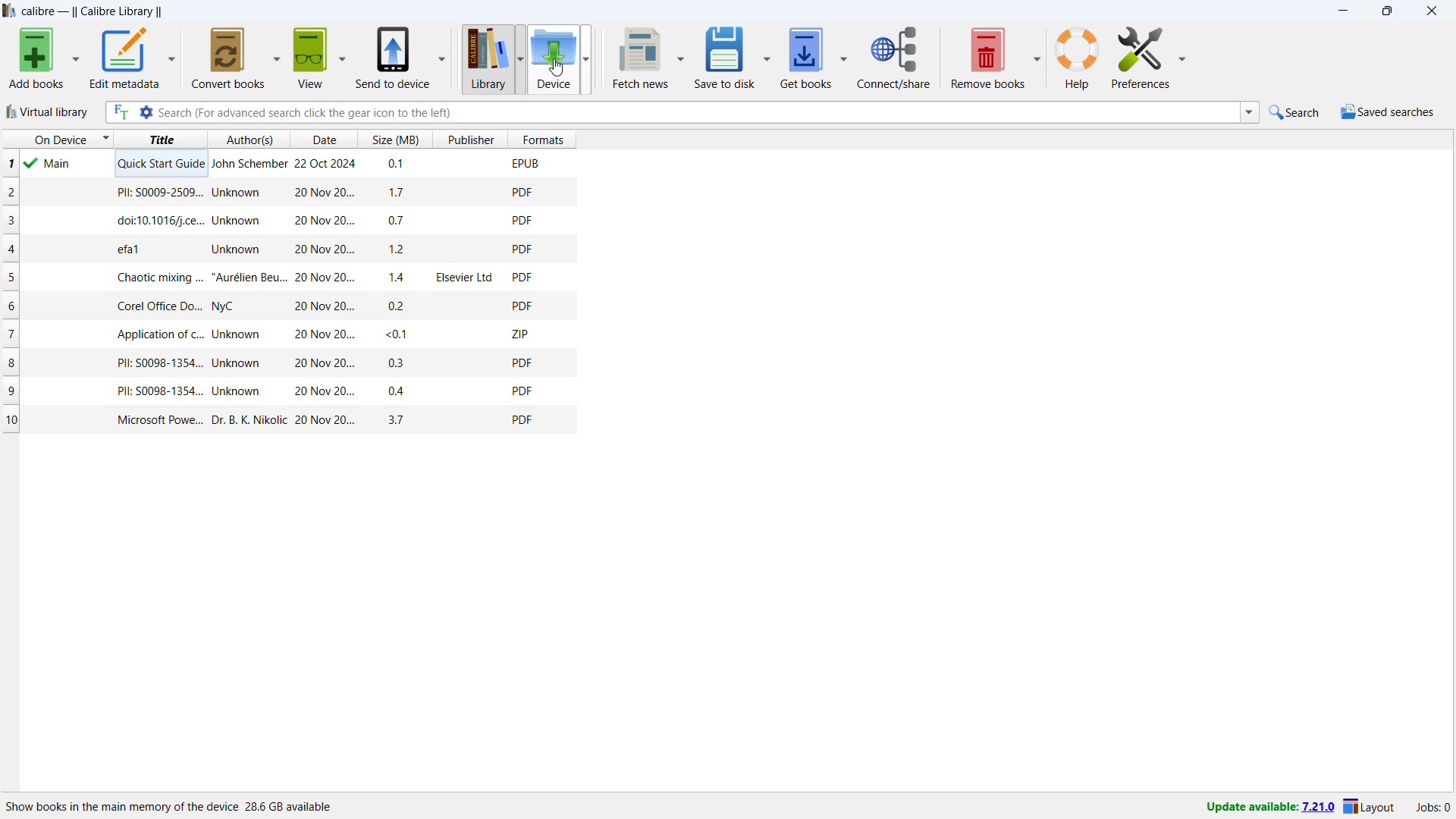 This screenshot has height=819, width=1456. What do you see at coordinates (289, 249) in the screenshot?
I see `one book entry` at bounding box center [289, 249].